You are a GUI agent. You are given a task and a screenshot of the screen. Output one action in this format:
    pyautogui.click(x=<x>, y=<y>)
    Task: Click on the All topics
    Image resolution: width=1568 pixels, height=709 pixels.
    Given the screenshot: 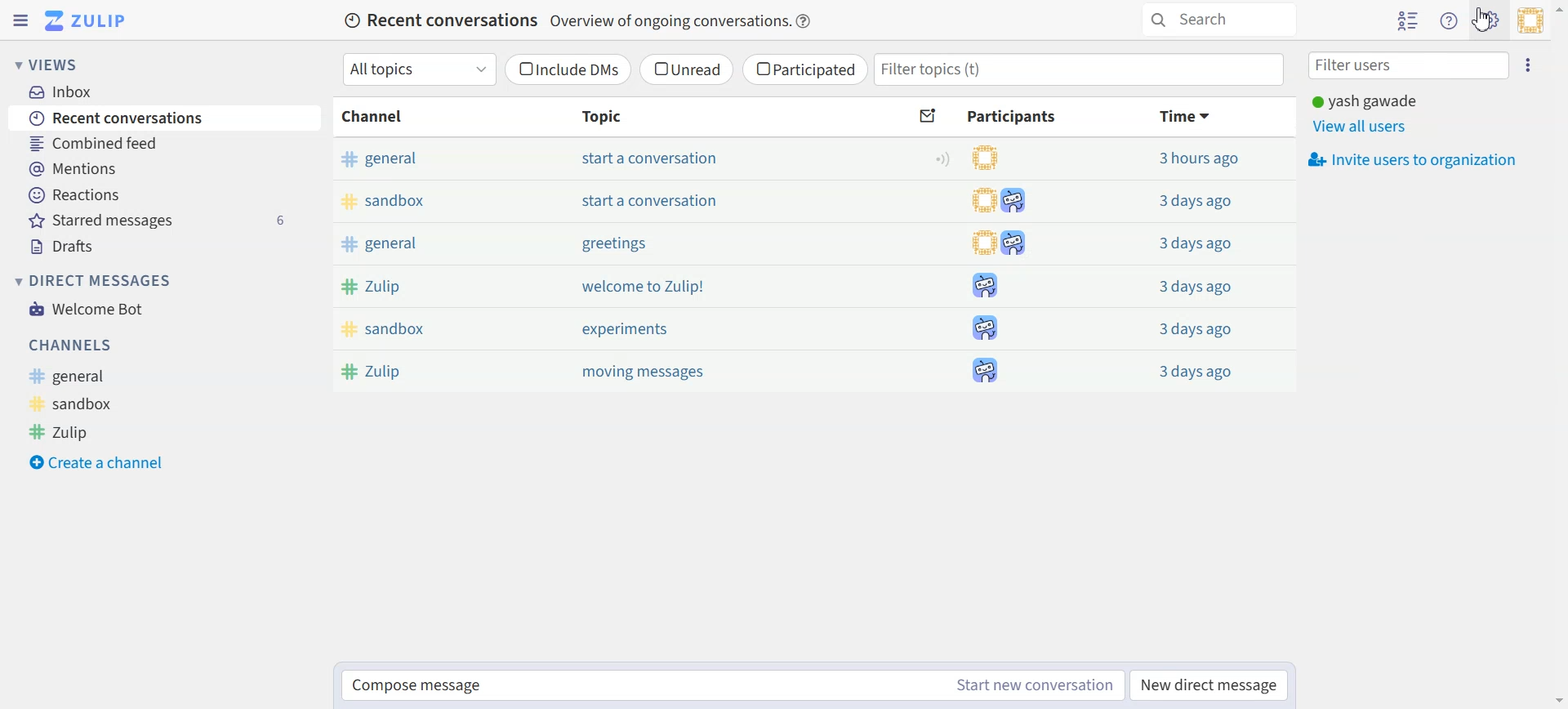 What is the action you would take?
    pyautogui.click(x=421, y=70)
    